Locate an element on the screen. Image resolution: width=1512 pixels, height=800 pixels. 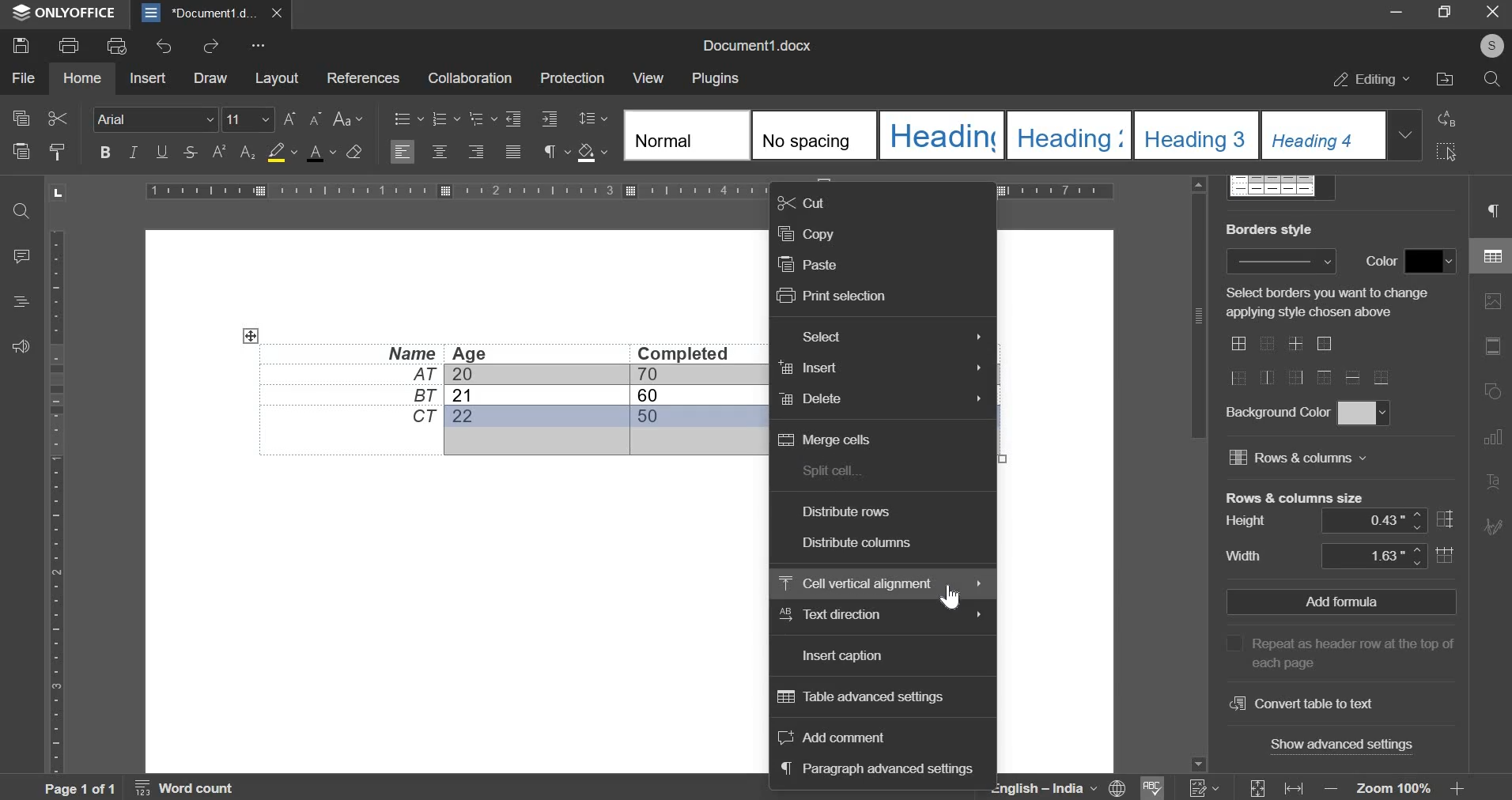
table advanced settings is located at coordinates (863, 696).